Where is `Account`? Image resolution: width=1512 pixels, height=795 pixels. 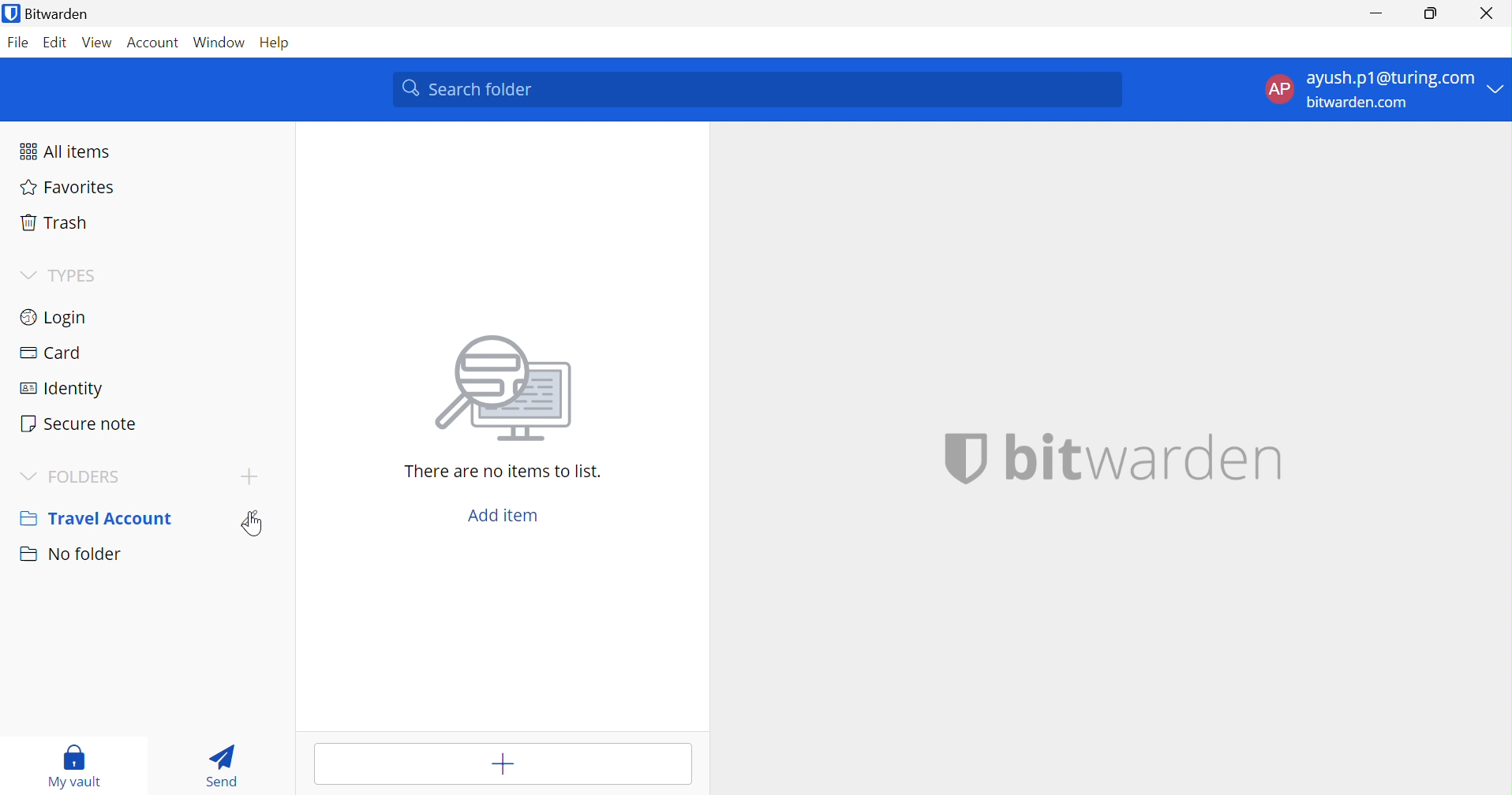
Account is located at coordinates (154, 42).